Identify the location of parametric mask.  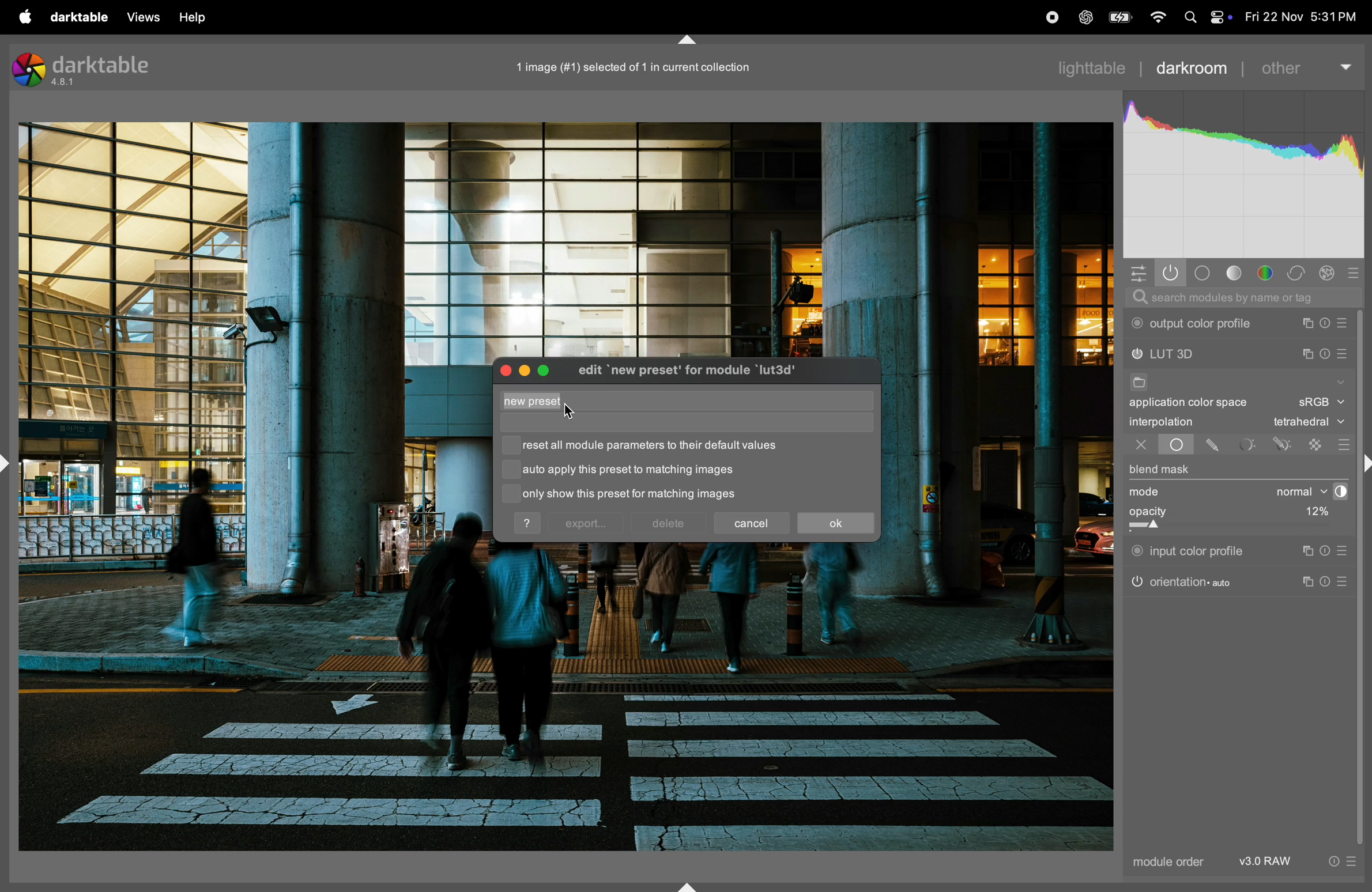
(1248, 444).